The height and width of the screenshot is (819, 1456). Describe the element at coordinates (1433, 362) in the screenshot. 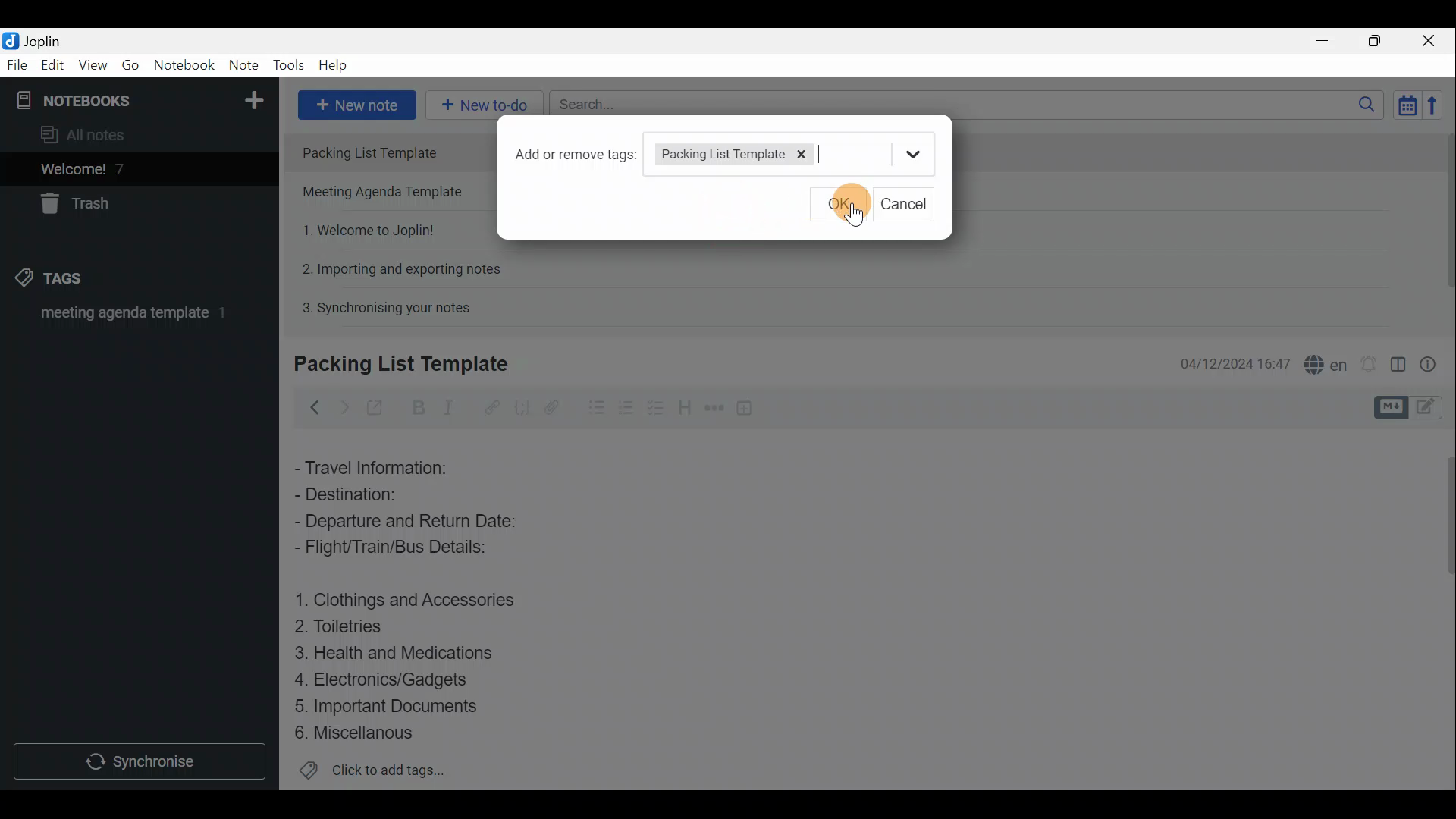

I see `Note properties` at that location.